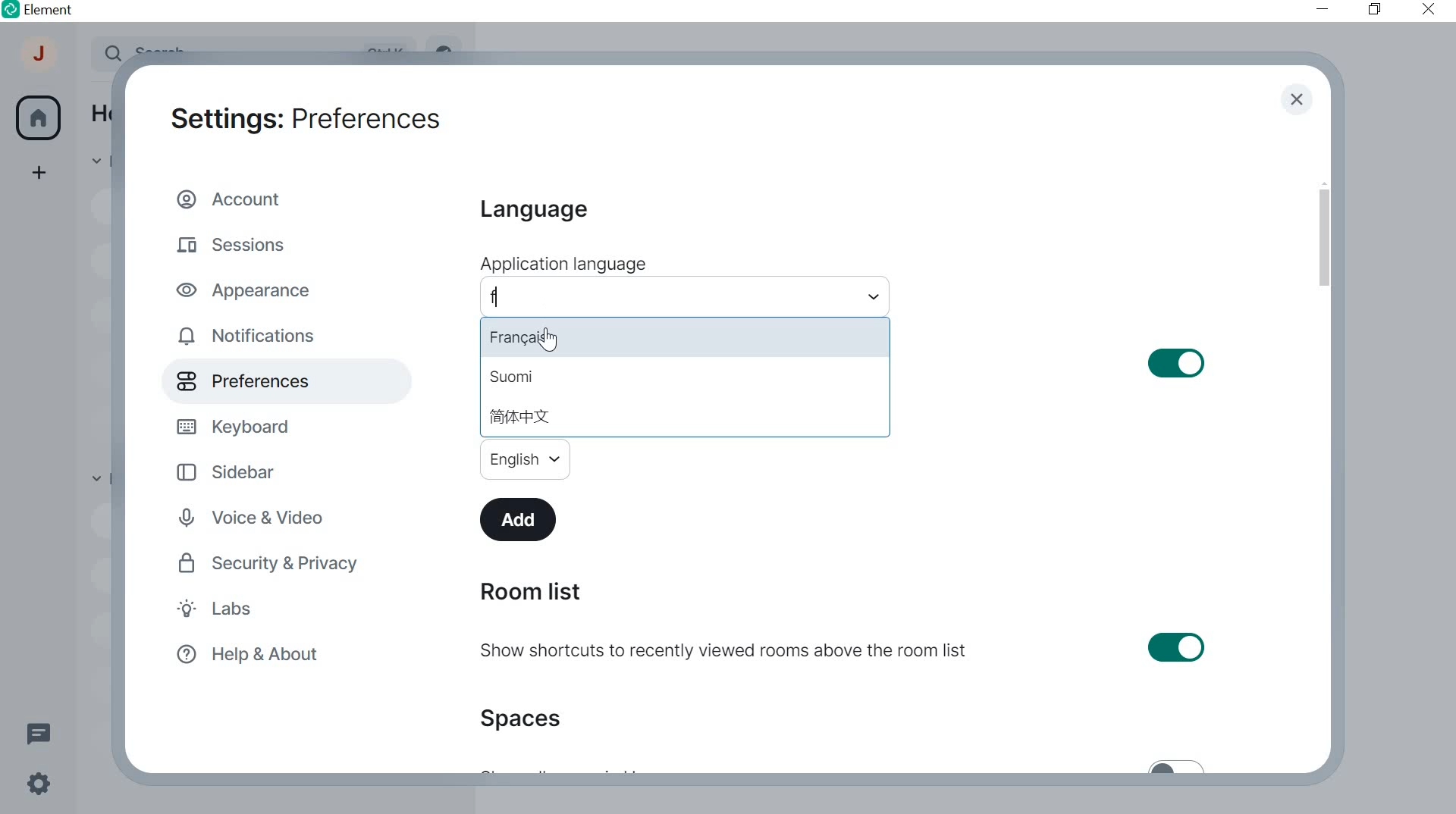 The height and width of the screenshot is (814, 1456). Describe the element at coordinates (36, 787) in the screenshot. I see `settings` at that location.